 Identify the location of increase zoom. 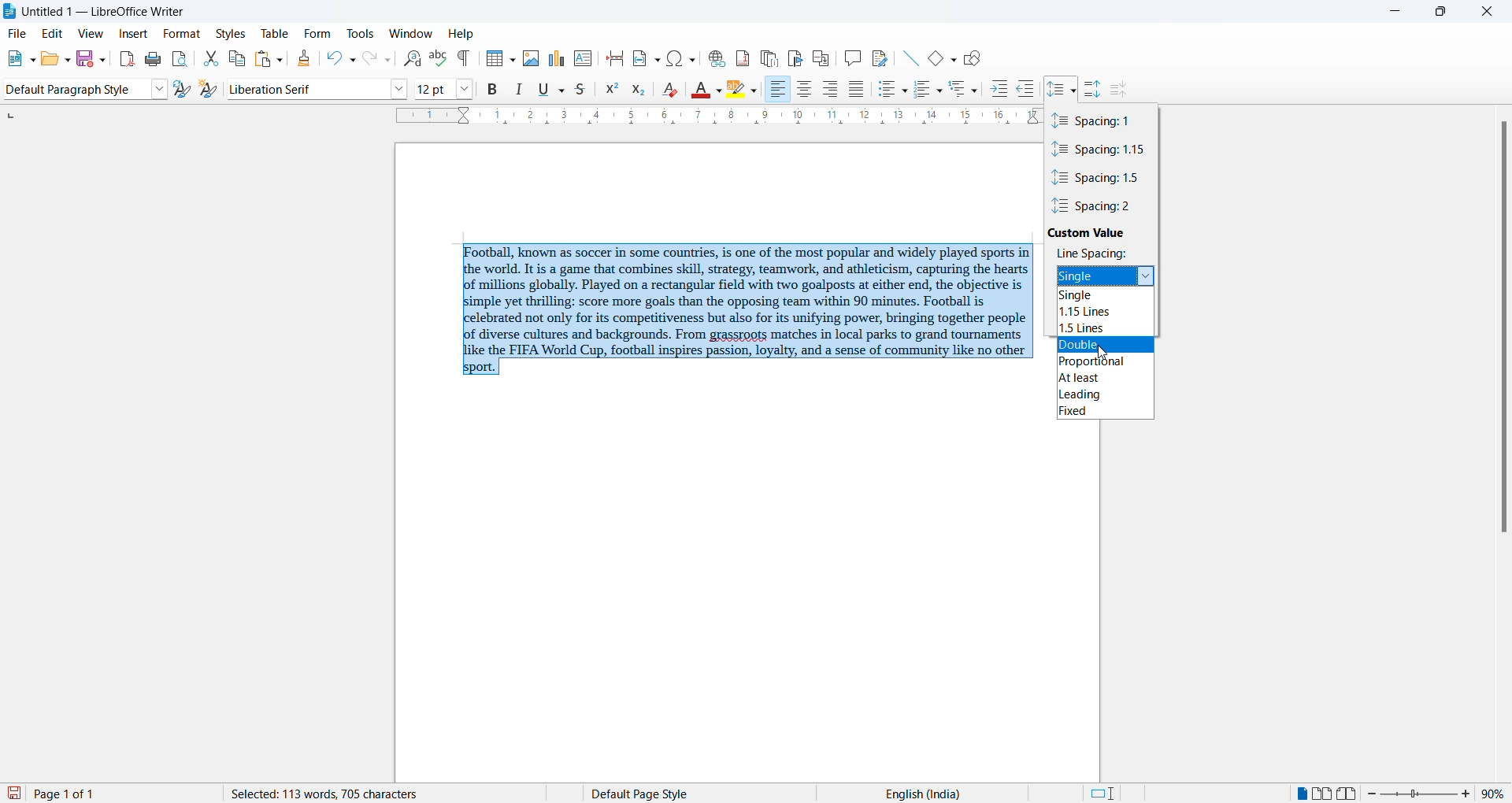
(1470, 794).